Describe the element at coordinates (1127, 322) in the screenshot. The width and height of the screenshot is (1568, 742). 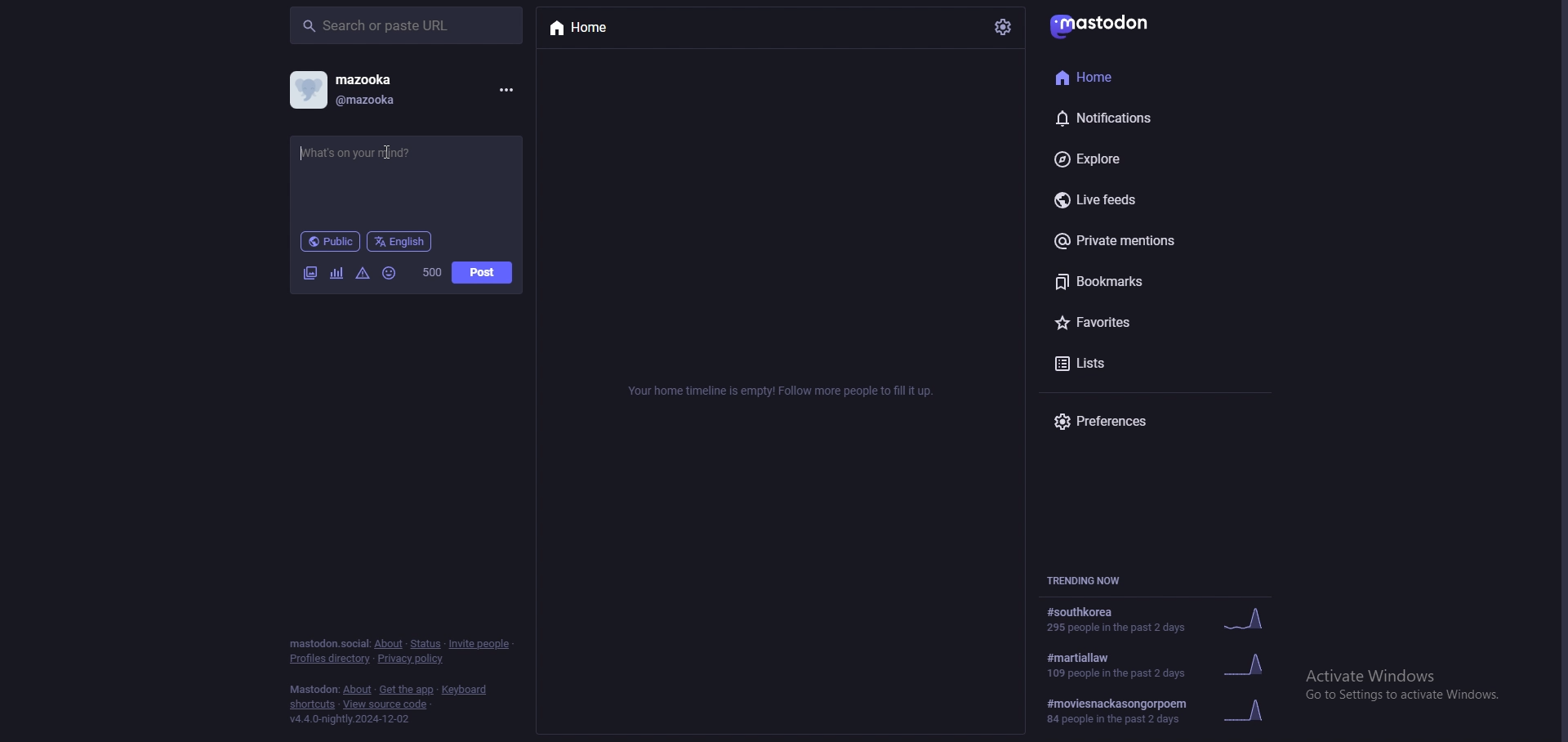
I see `favourites` at that location.